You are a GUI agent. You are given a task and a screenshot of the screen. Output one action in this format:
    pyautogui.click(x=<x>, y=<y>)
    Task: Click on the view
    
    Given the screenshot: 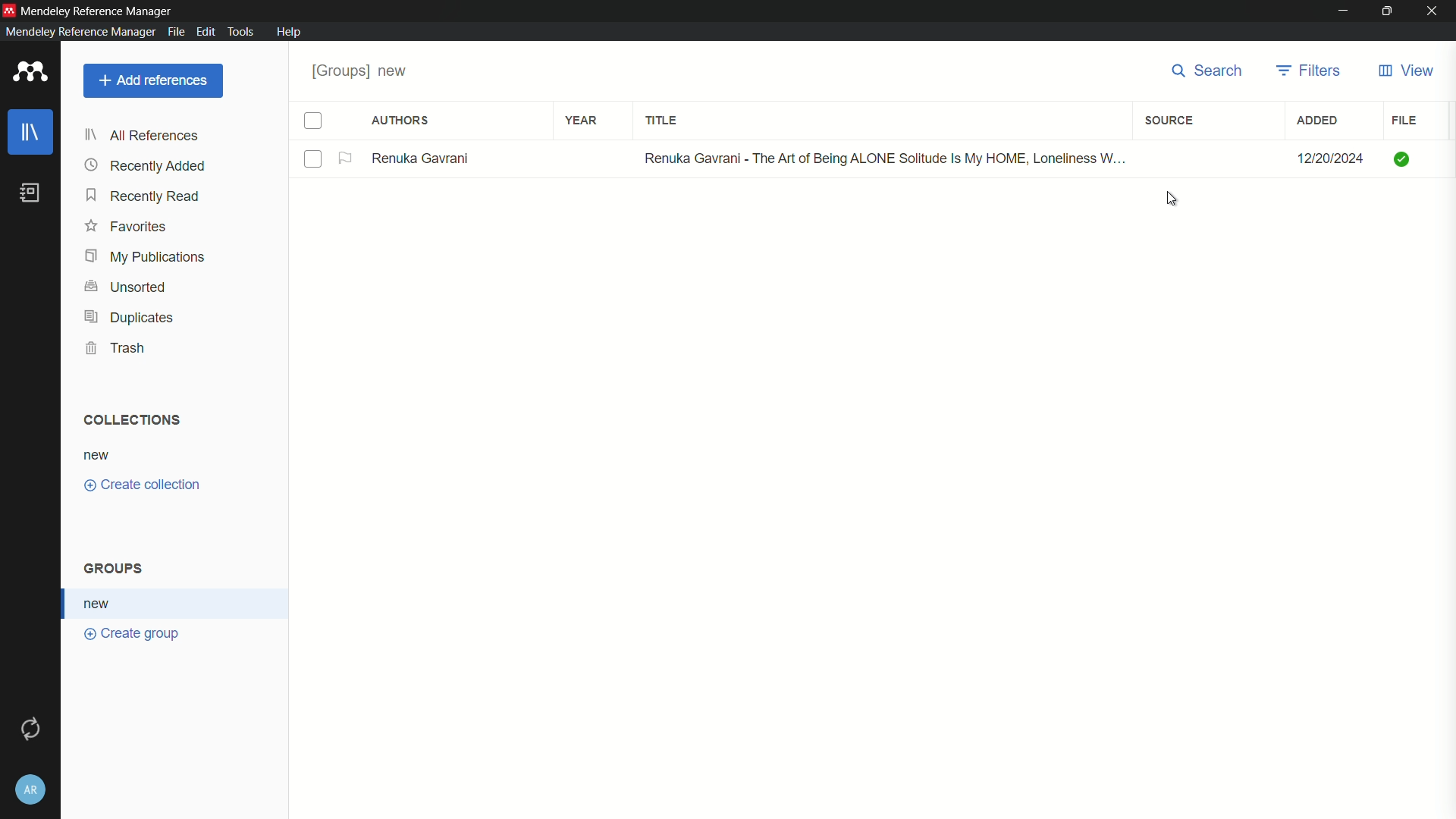 What is the action you would take?
    pyautogui.click(x=1407, y=72)
    